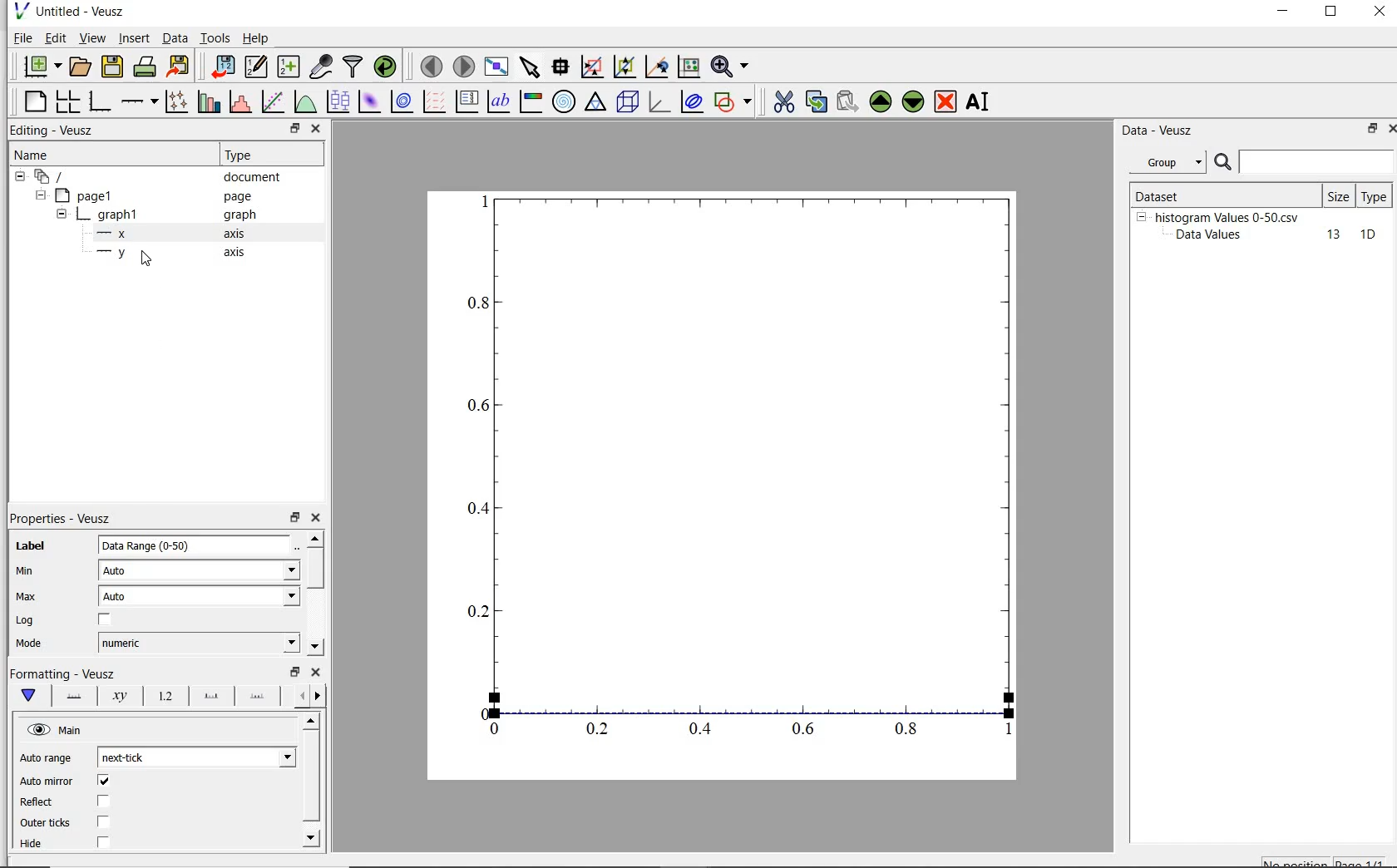  I want to click on file, so click(22, 37).